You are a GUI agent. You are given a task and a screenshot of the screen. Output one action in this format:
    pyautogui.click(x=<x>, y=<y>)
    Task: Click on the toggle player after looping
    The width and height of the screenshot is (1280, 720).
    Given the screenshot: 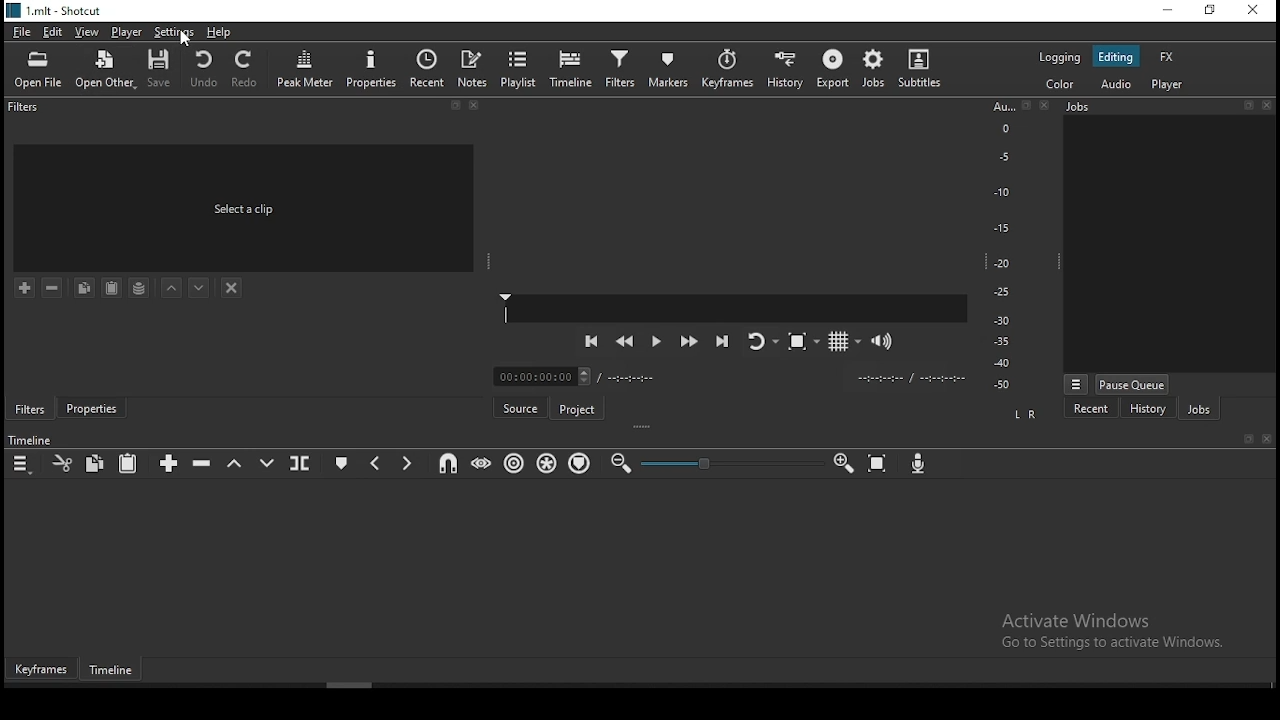 What is the action you would take?
    pyautogui.click(x=760, y=346)
    